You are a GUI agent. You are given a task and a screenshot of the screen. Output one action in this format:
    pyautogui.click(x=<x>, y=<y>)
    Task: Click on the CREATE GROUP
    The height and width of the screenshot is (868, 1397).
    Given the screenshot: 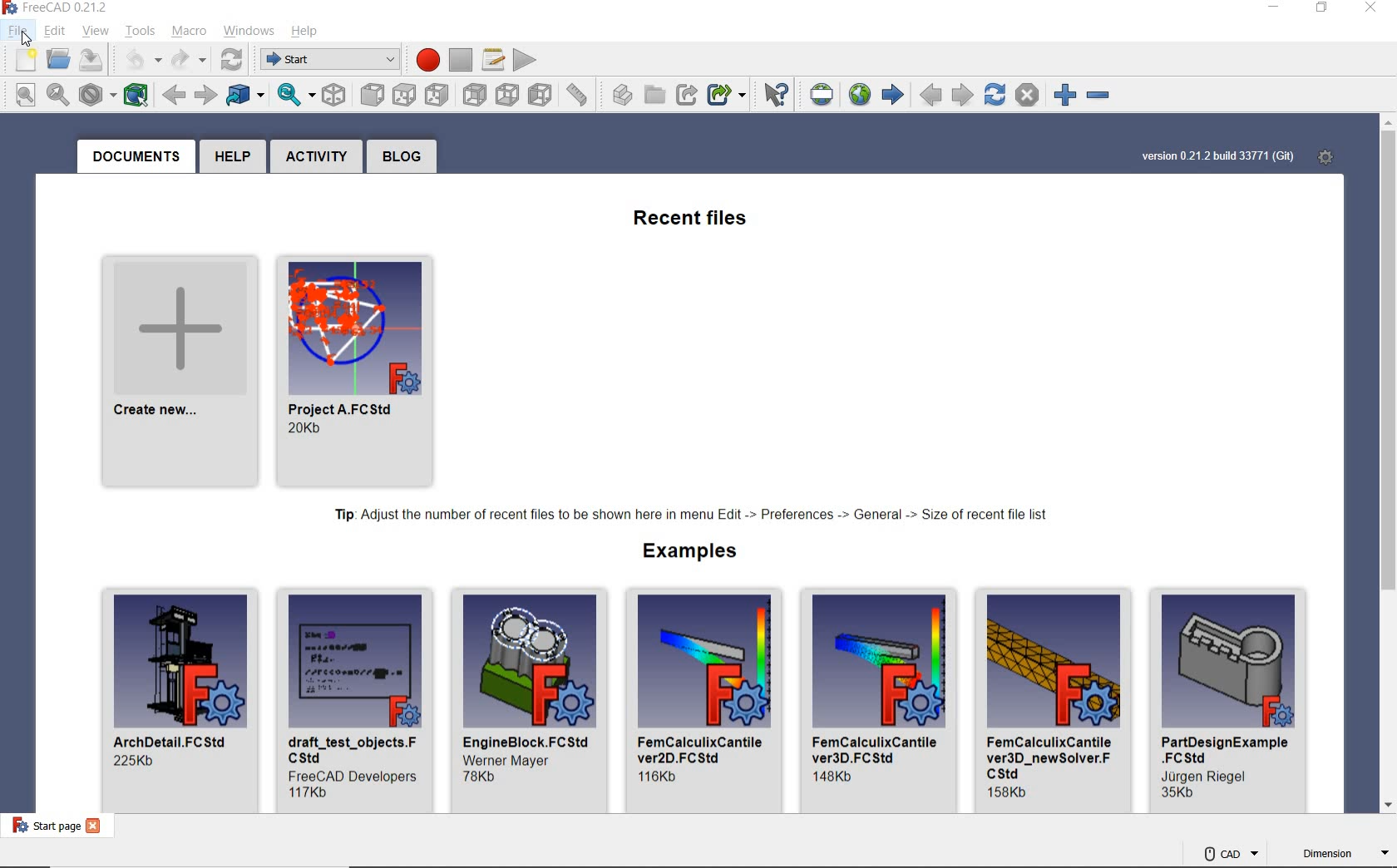 What is the action you would take?
    pyautogui.click(x=655, y=96)
    